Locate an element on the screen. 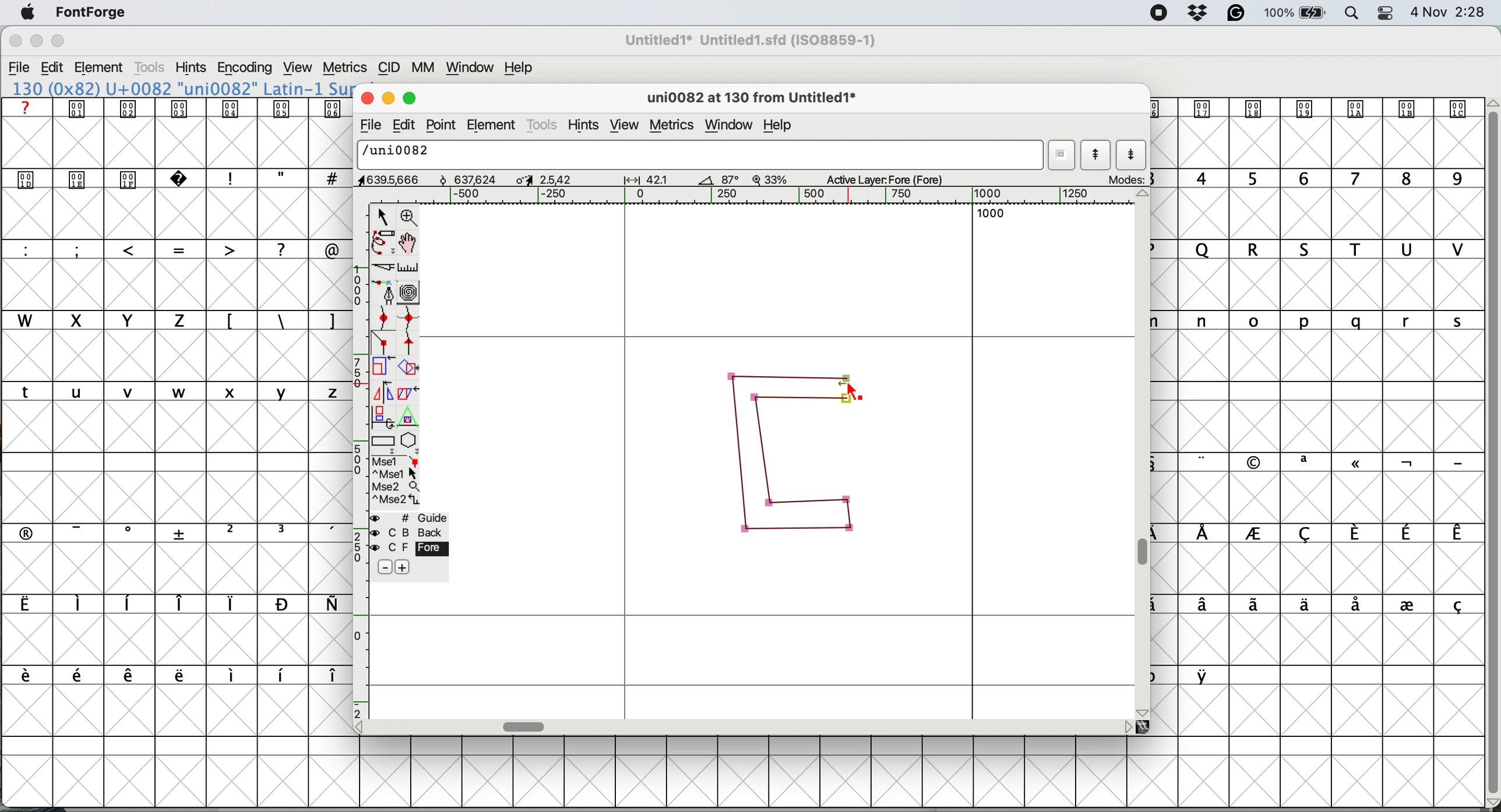 The width and height of the screenshot is (1501, 812). tools is located at coordinates (152, 68).